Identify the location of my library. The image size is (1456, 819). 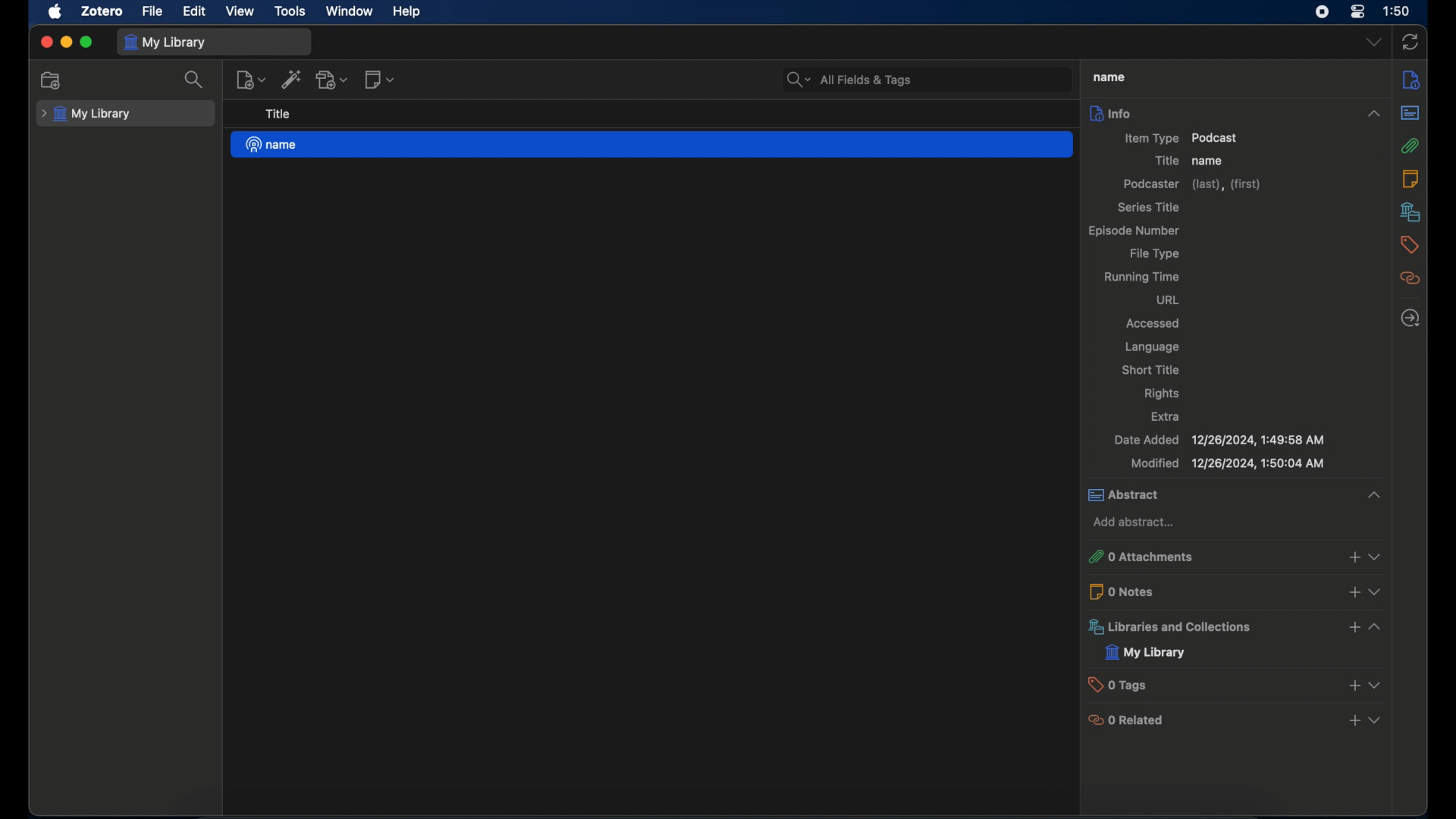
(164, 42).